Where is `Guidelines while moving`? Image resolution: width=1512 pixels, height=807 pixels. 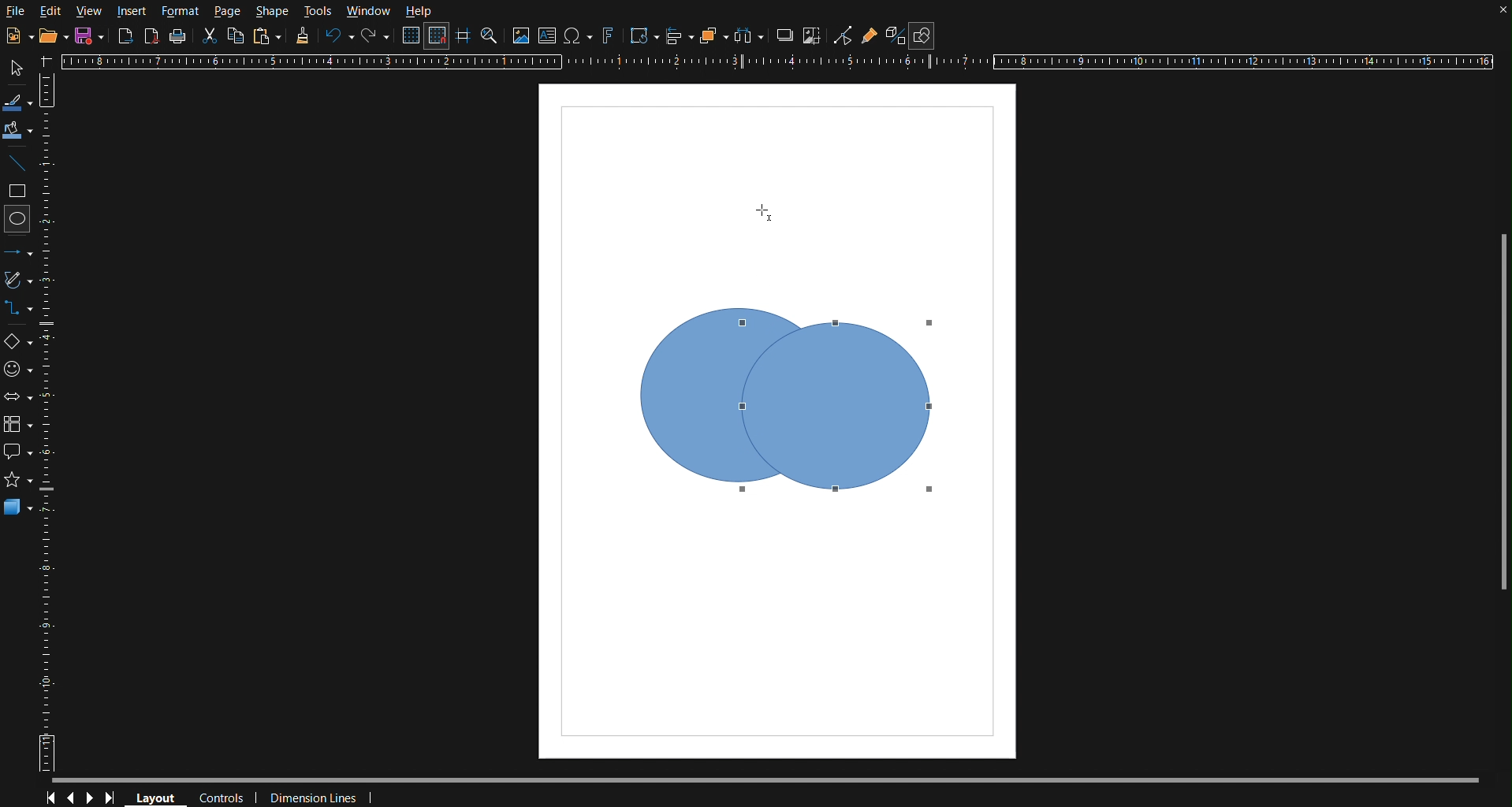
Guidelines while moving is located at coordinates (464, 39).